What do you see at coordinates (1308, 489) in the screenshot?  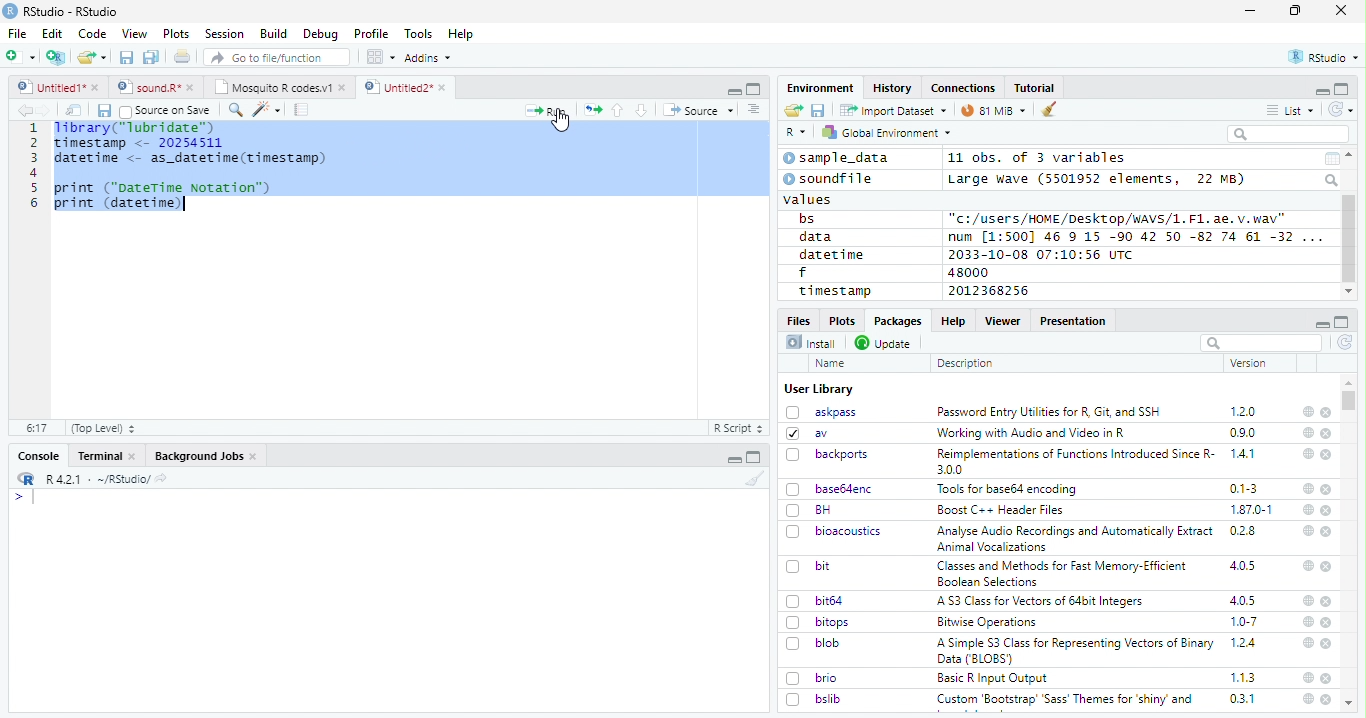 I see `help` at bounding box center [1308, 489].